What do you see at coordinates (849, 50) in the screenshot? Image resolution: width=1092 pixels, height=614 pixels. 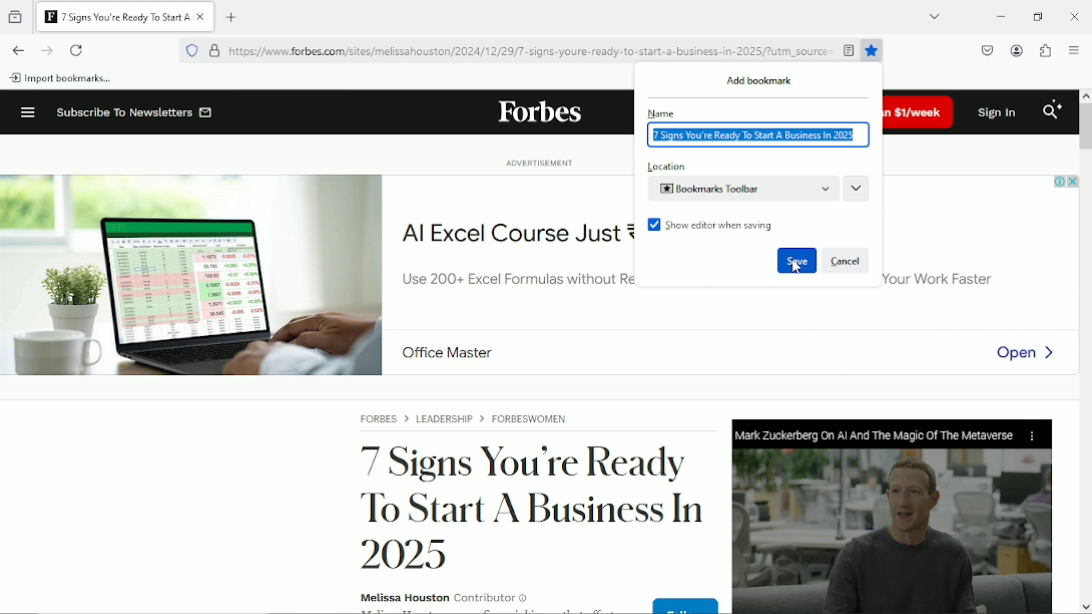 I see `enable reading mode` at bounding box center [849, 50].